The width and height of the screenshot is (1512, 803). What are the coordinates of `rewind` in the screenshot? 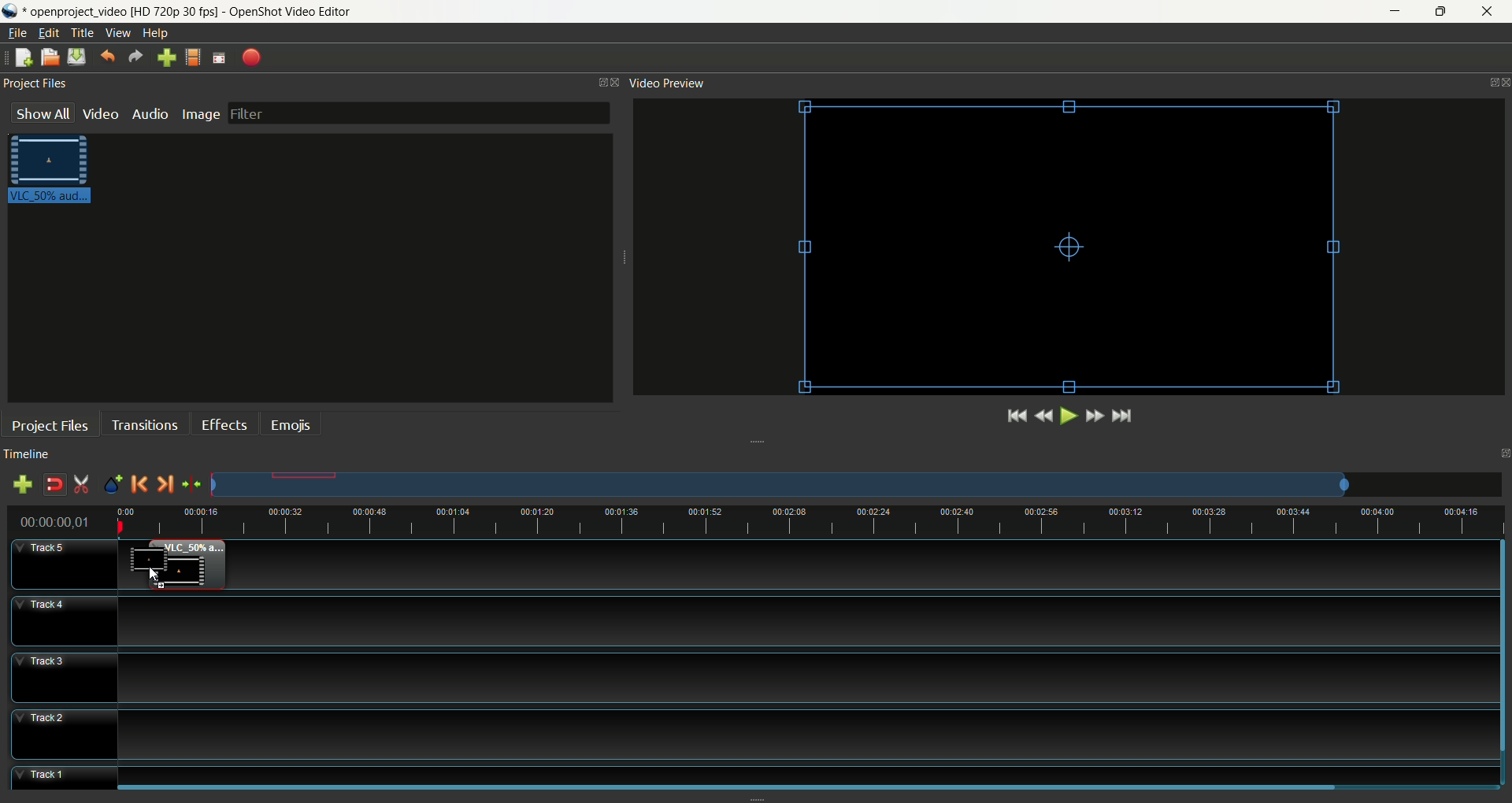 It's located at (1043, 416).